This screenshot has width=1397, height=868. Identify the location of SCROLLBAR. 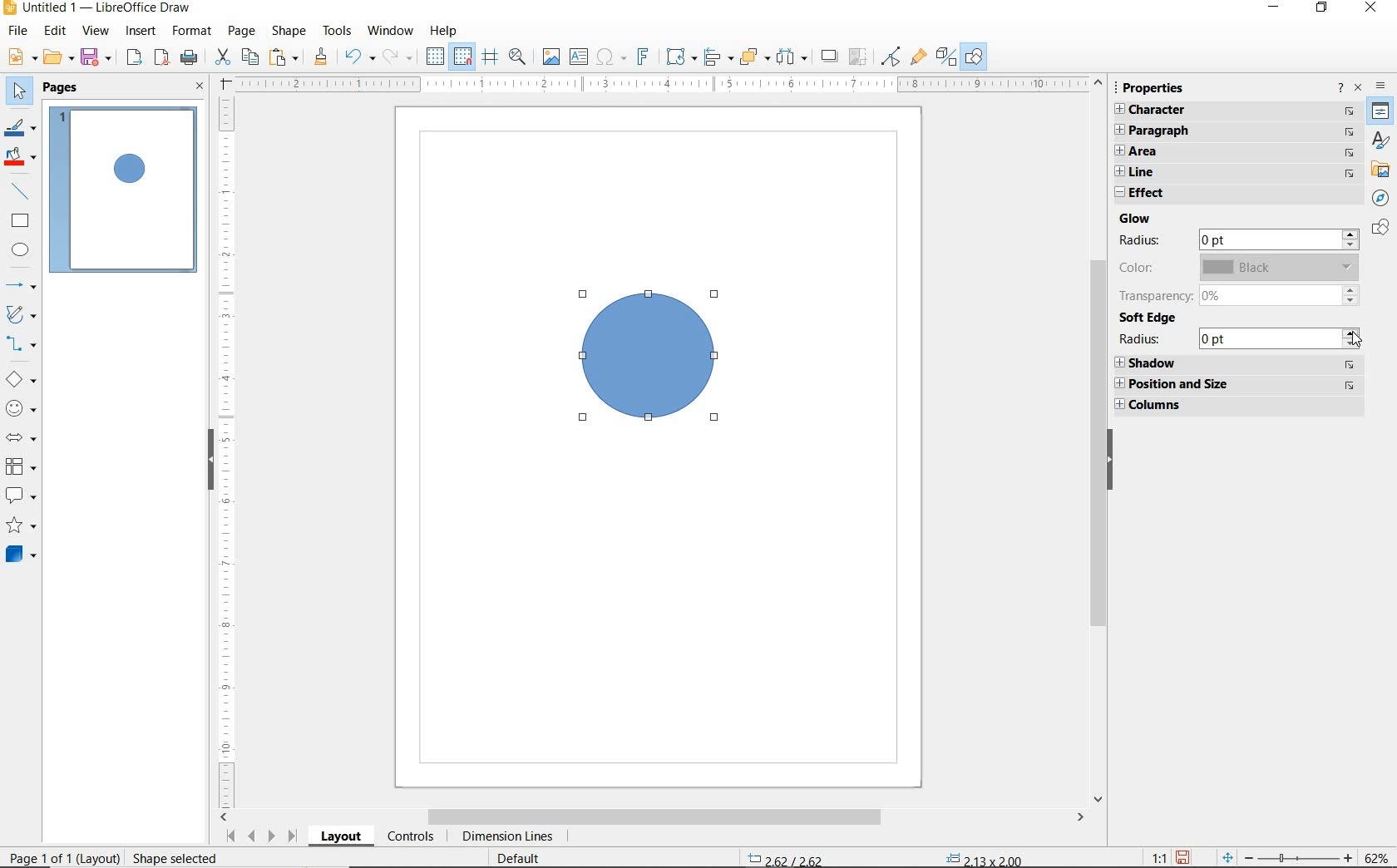
(655, 818).